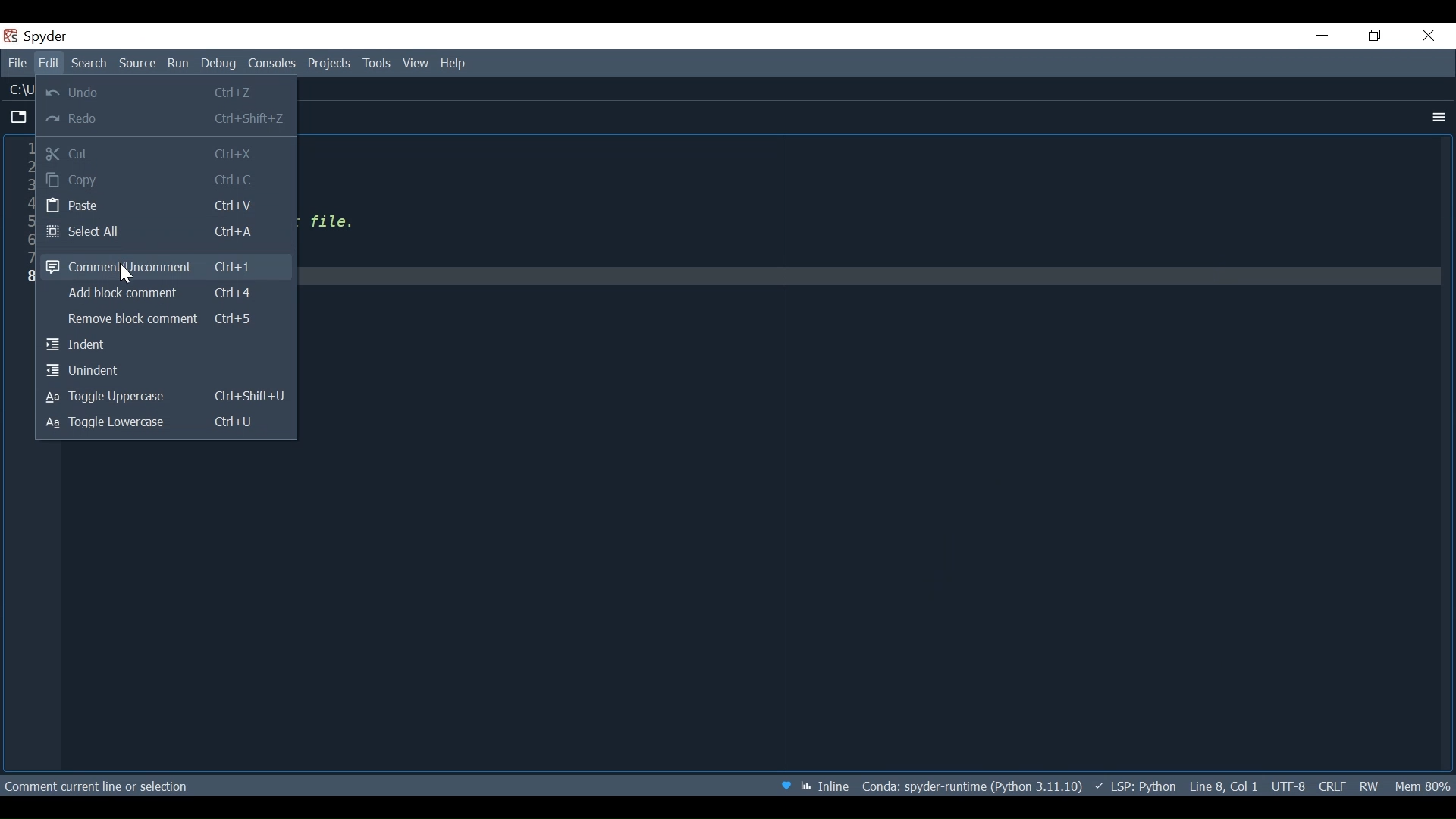 The width and height of the screenshot is (1456, 819). Describe the element at coordinates (219, 65) in the screenshot. I see `Debug` at that location.